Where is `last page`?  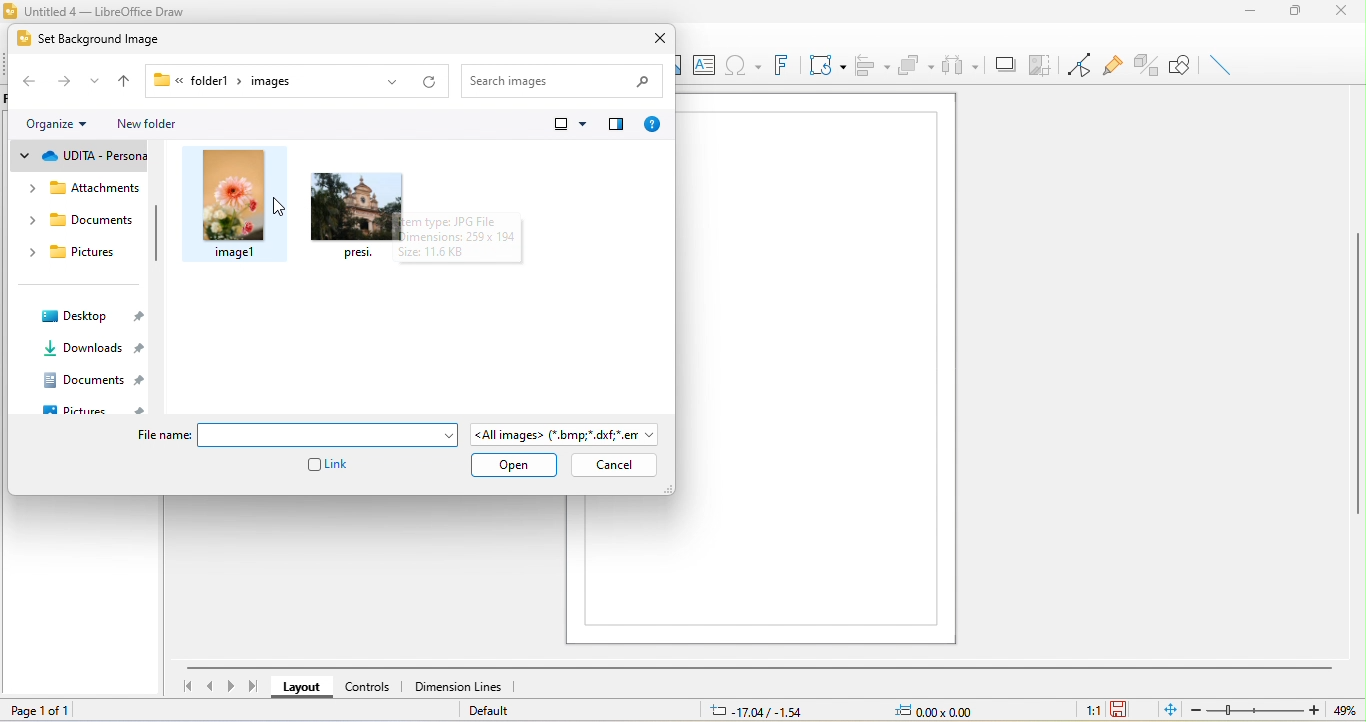
last page is located at coordinates (256, 687).